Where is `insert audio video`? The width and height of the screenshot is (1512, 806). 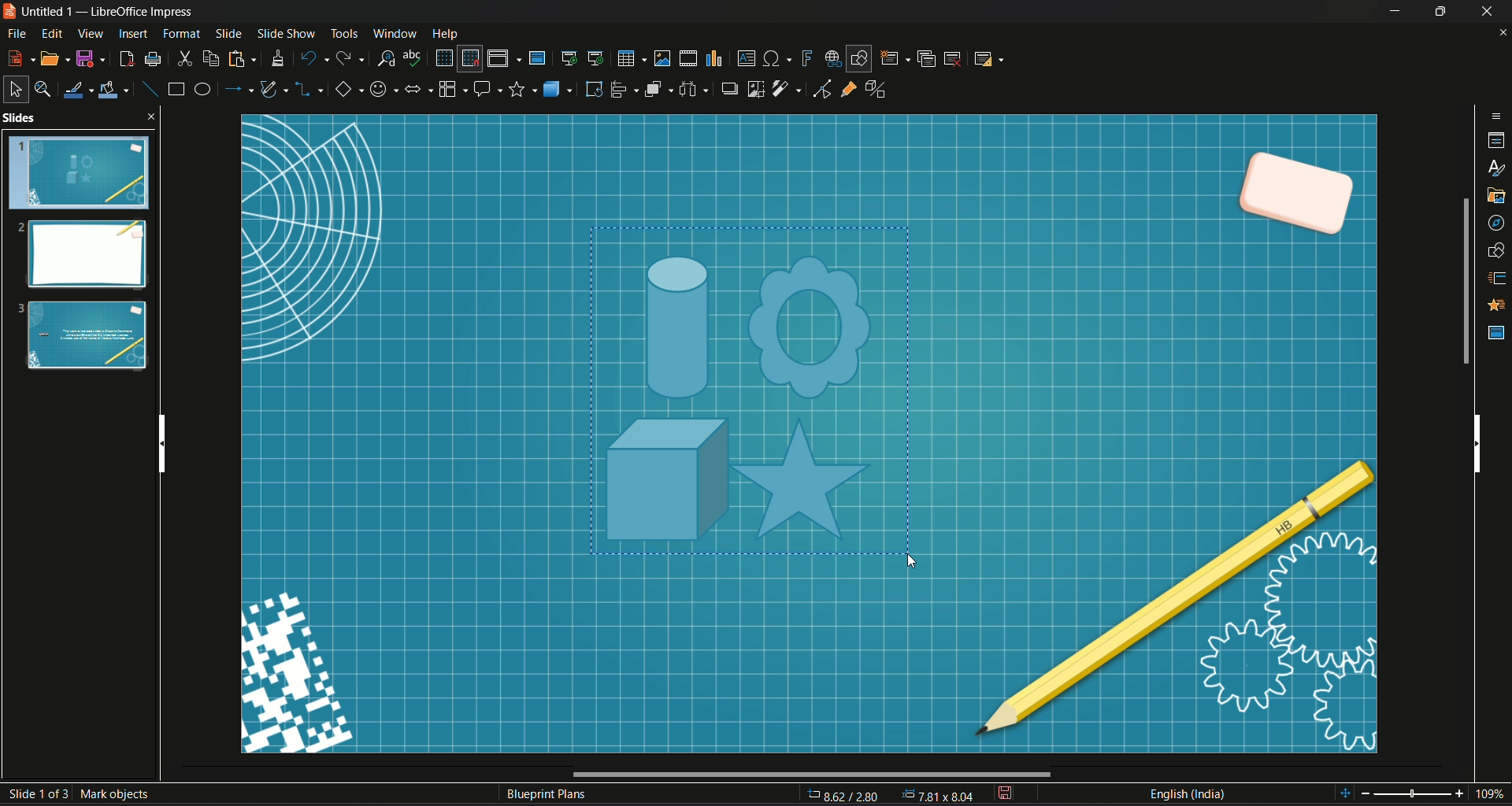 insert audio video is located at coordinates (687, 58).